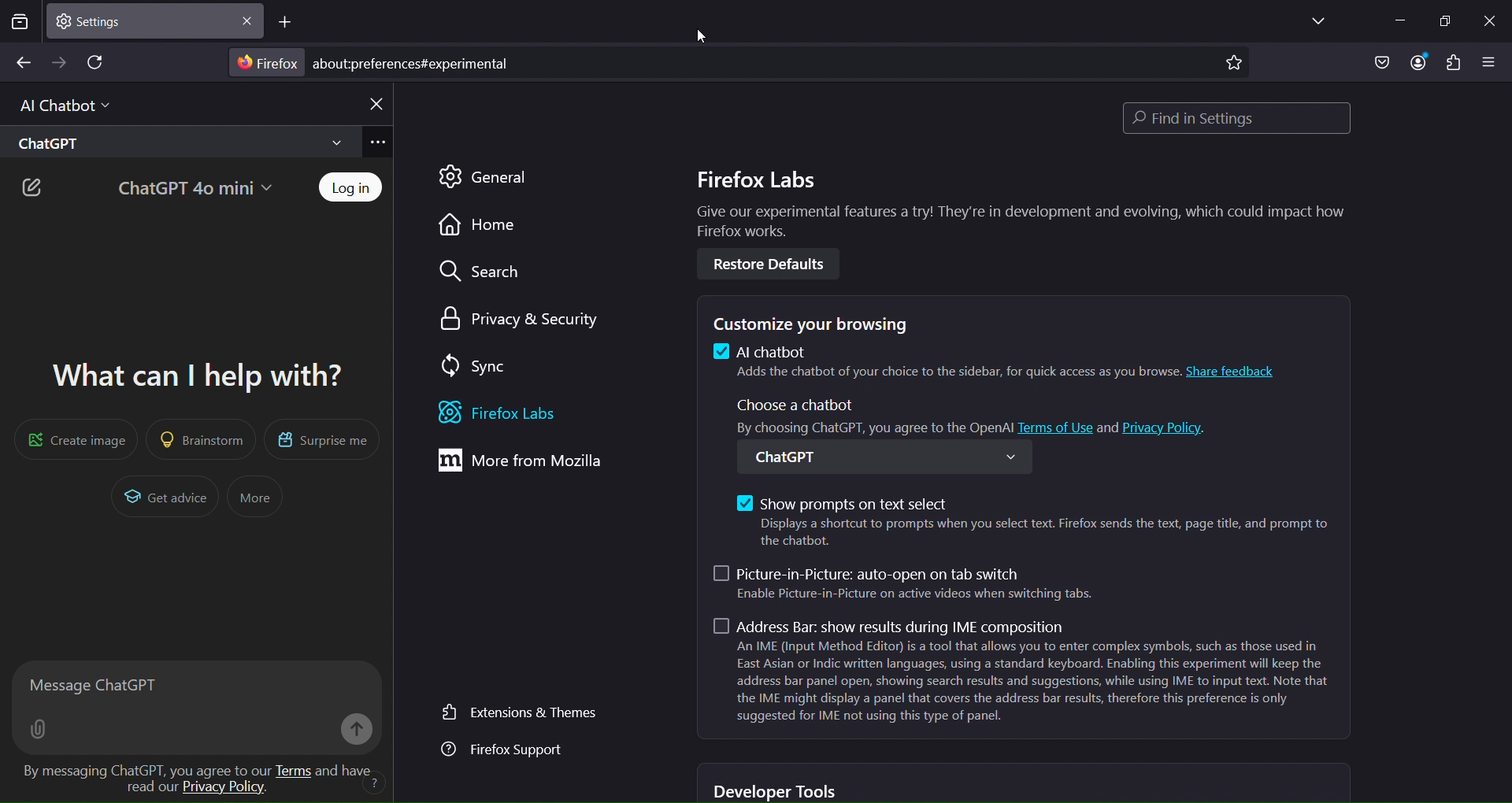  What do you see at coordinates (321, 441) in the screenshot?
I see `surprise me` at bounding box center [321, 441].